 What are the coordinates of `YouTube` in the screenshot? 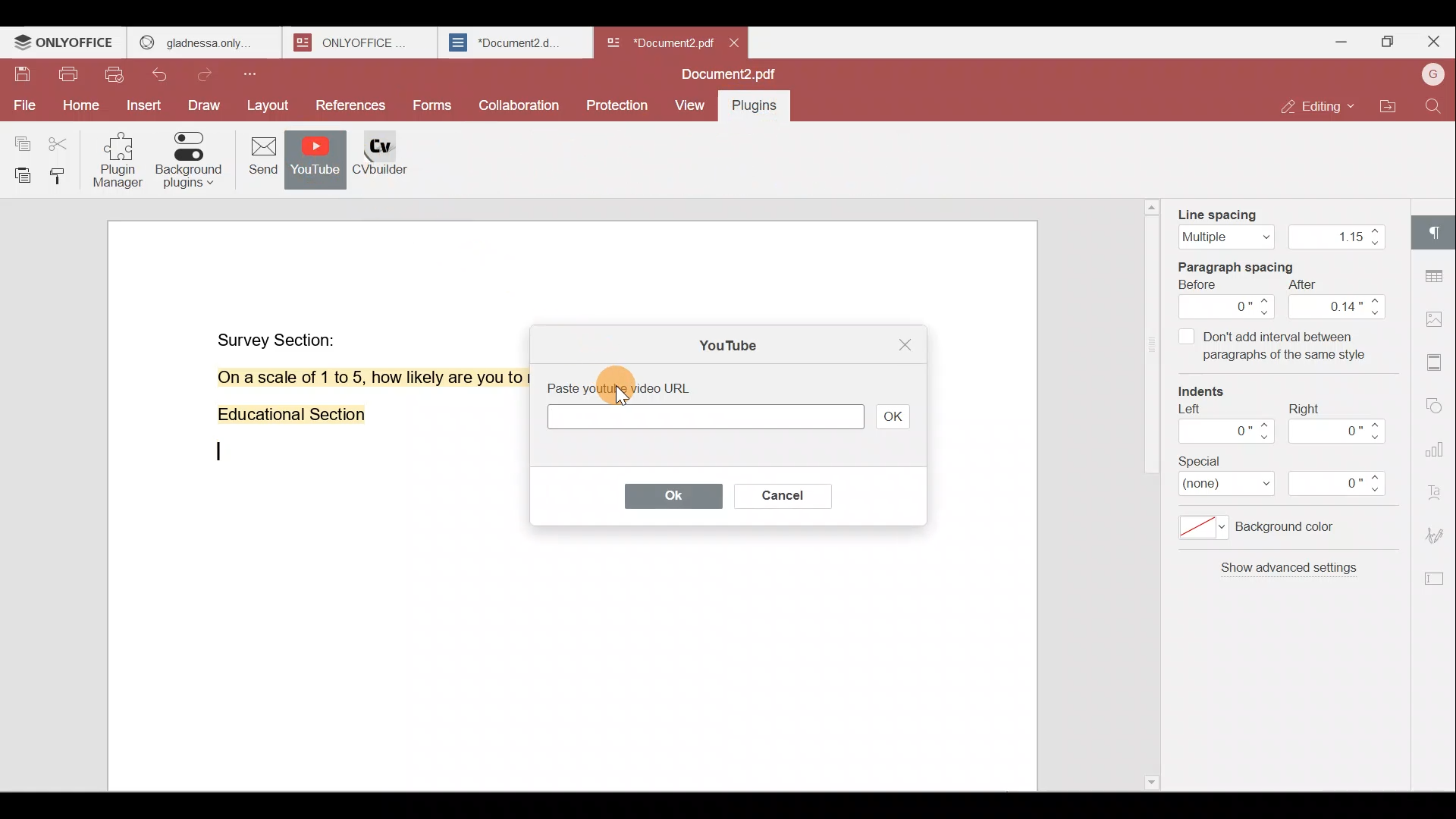 It's located at (315, 161).